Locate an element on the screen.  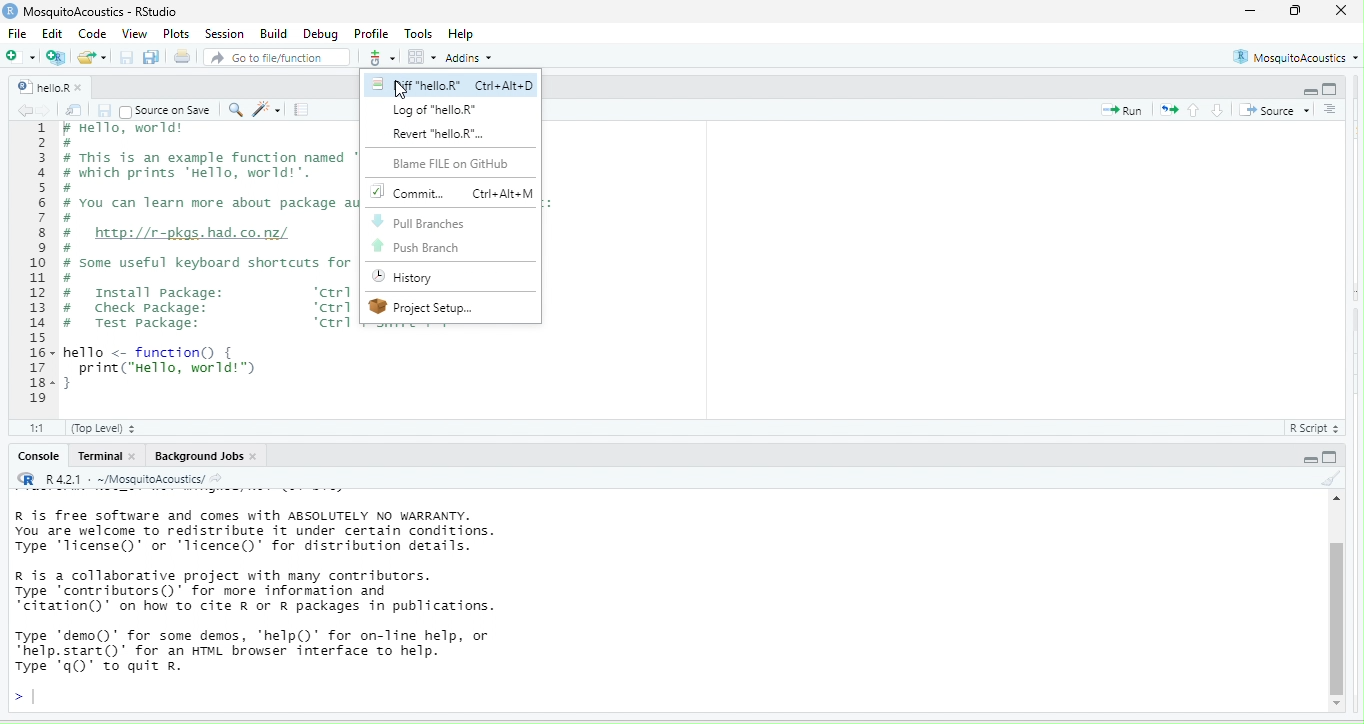
hide console is located at coordinates (1333, 458).